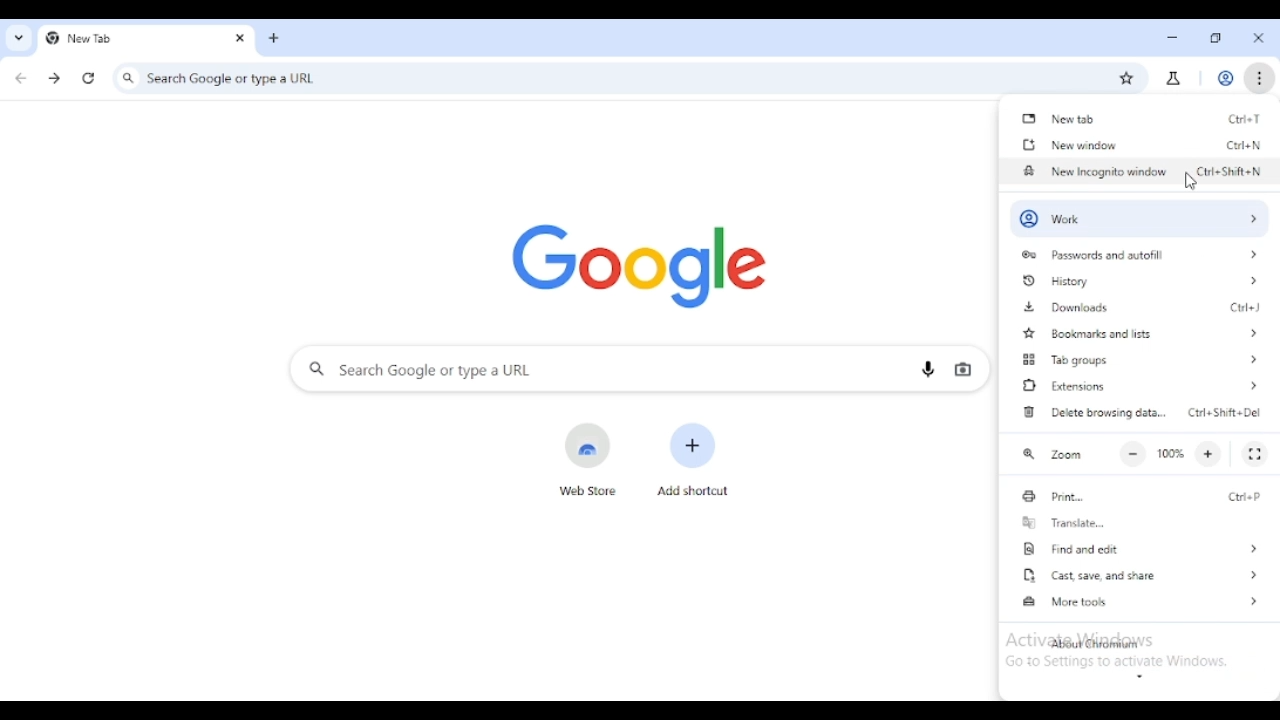 The height and width of the screenshot is (720, 1280). I want to click on cursor, so click(1190, 182).